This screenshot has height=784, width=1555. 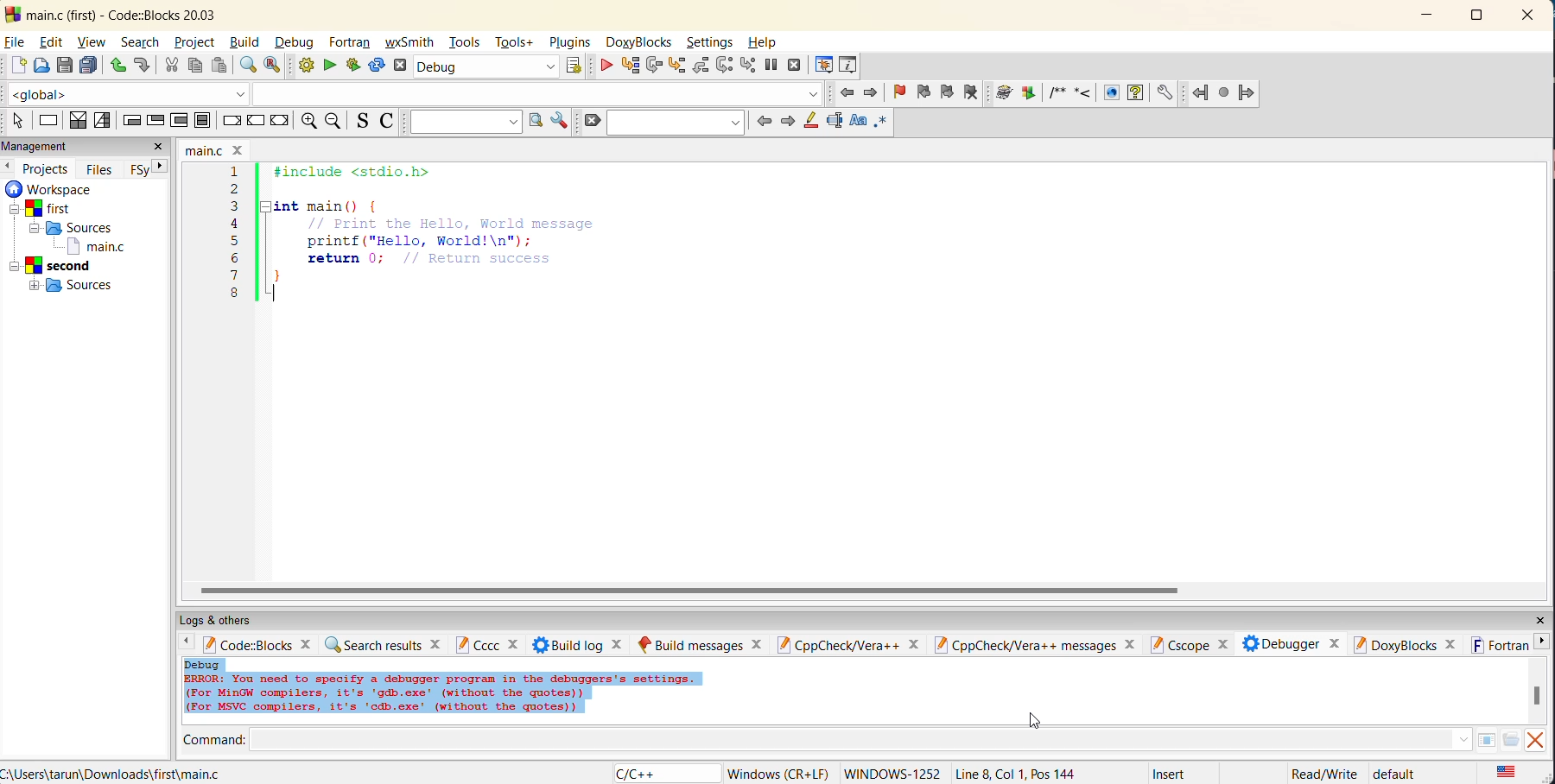 I want to click on entry condition loop, so click(x=129, y=122).